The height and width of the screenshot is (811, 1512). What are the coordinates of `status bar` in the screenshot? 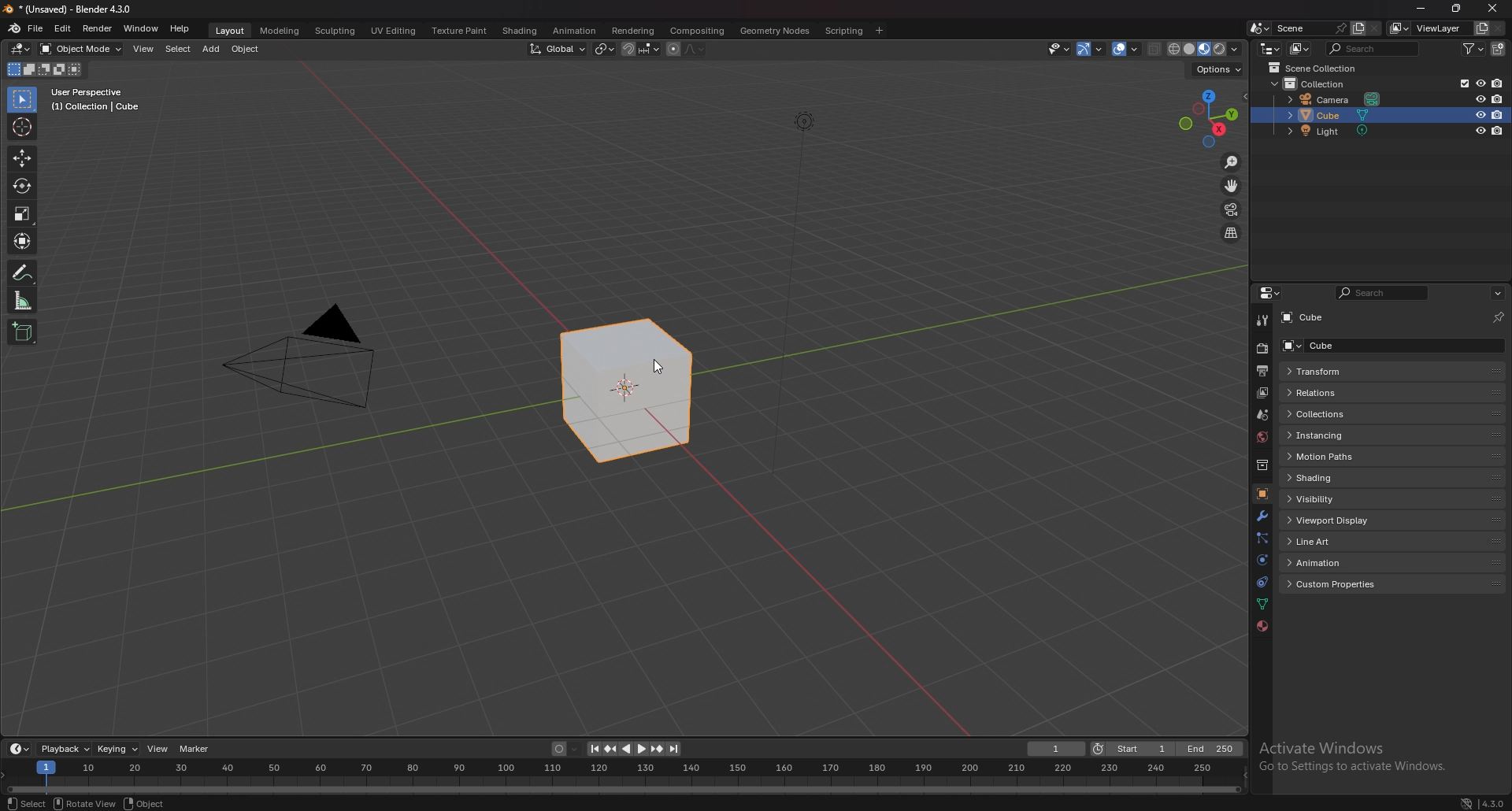 It's located at (172, 802).